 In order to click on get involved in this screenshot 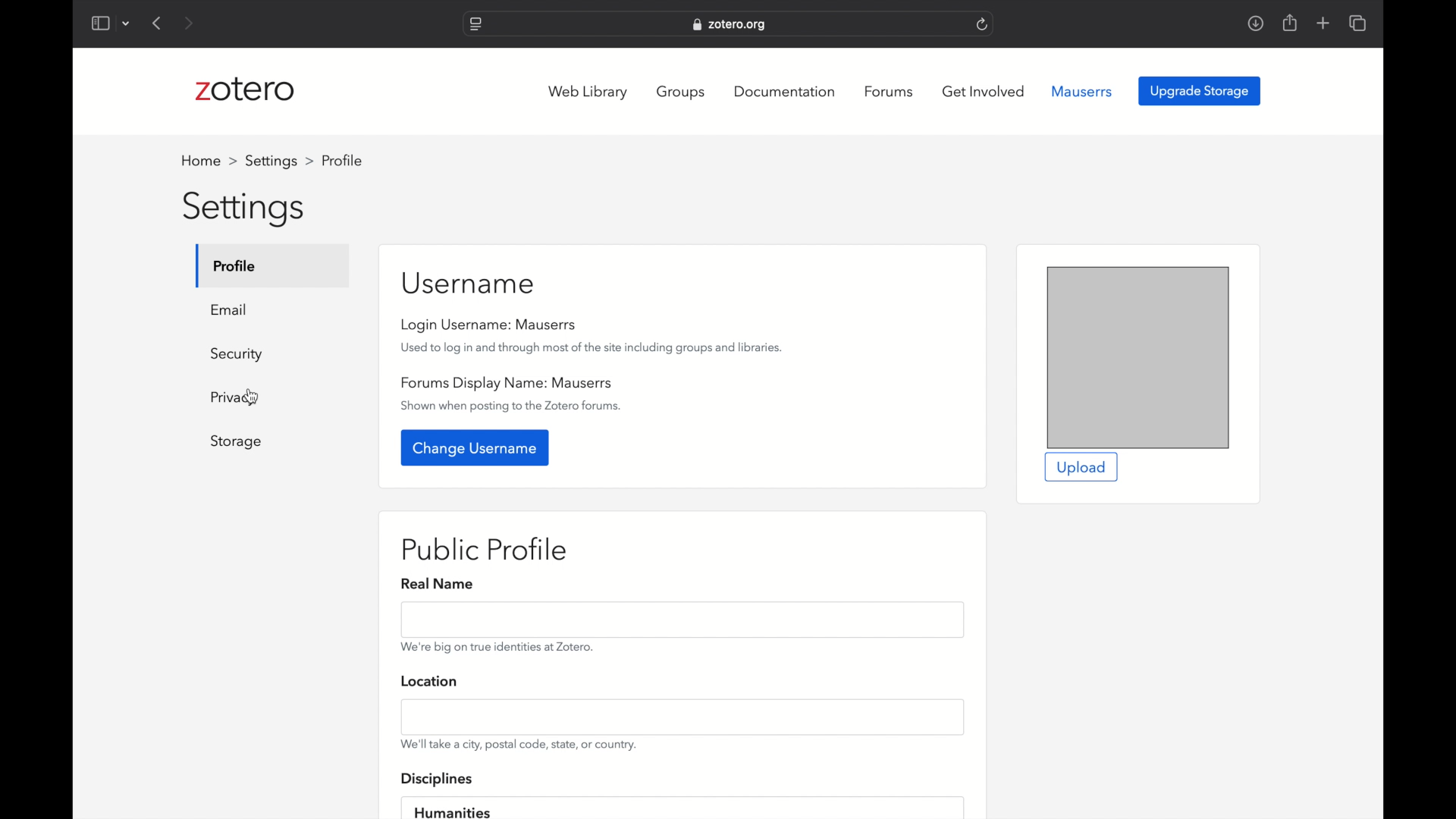, I will do `click(984, 91)`.